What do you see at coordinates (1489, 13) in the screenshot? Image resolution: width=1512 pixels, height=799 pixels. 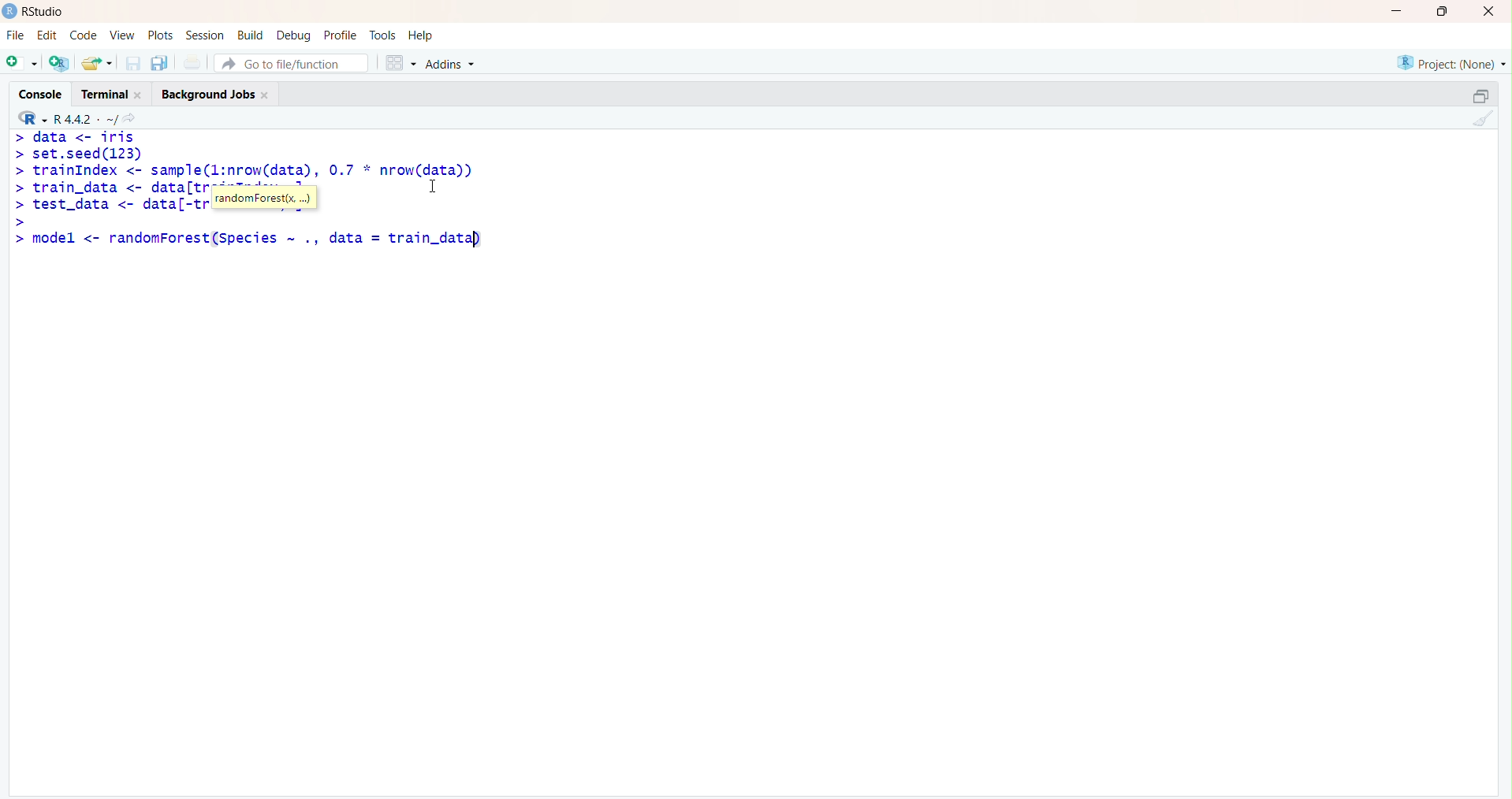 I see `Close` at bounding box center [1489, 13].